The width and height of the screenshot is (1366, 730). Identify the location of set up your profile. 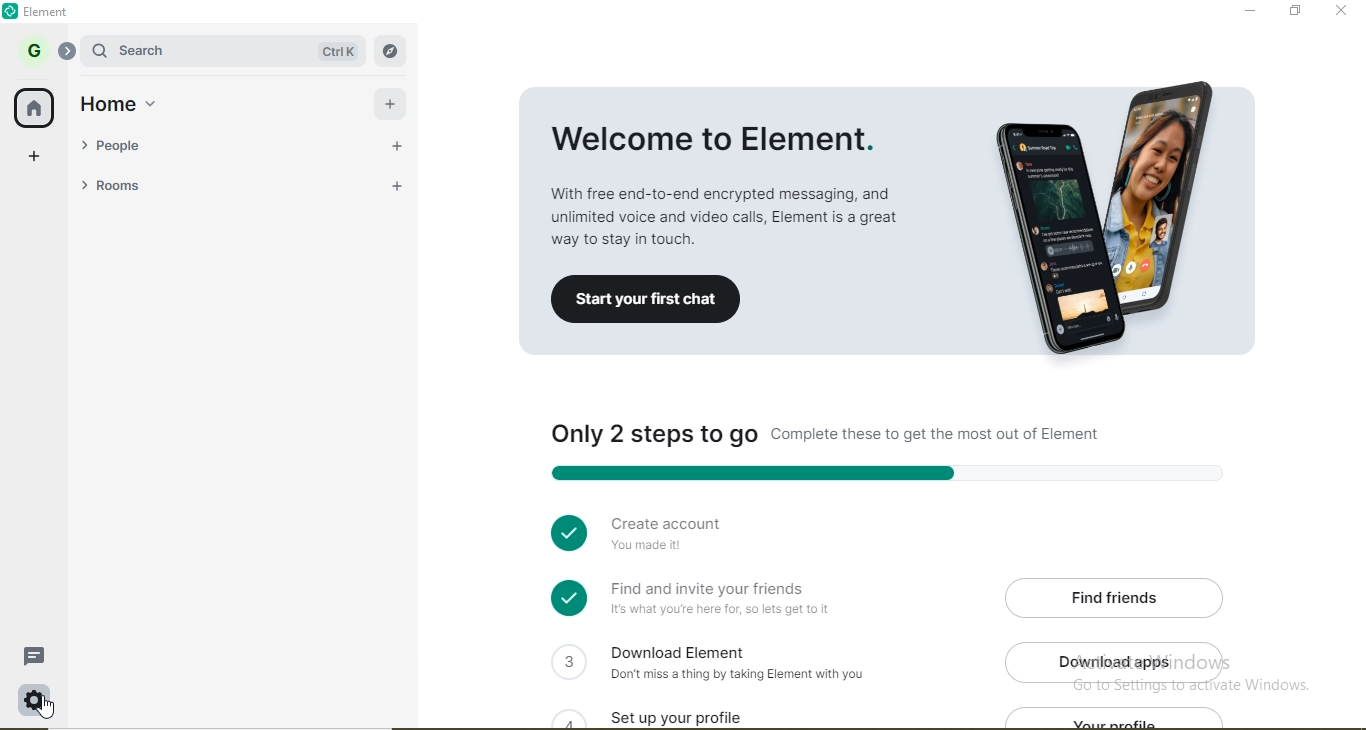
(701, 714).